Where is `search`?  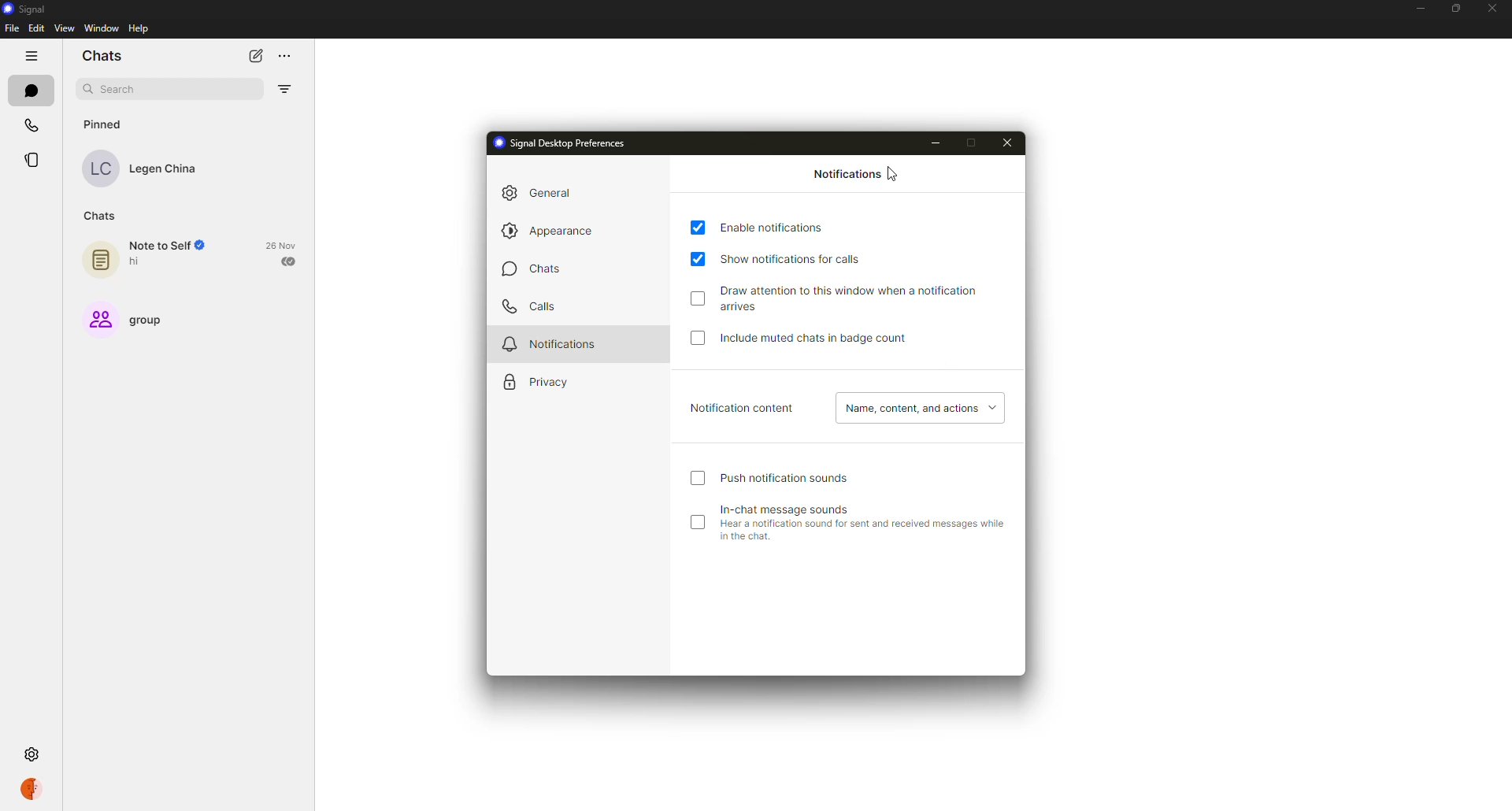 search is located at coordinates (121, 89).